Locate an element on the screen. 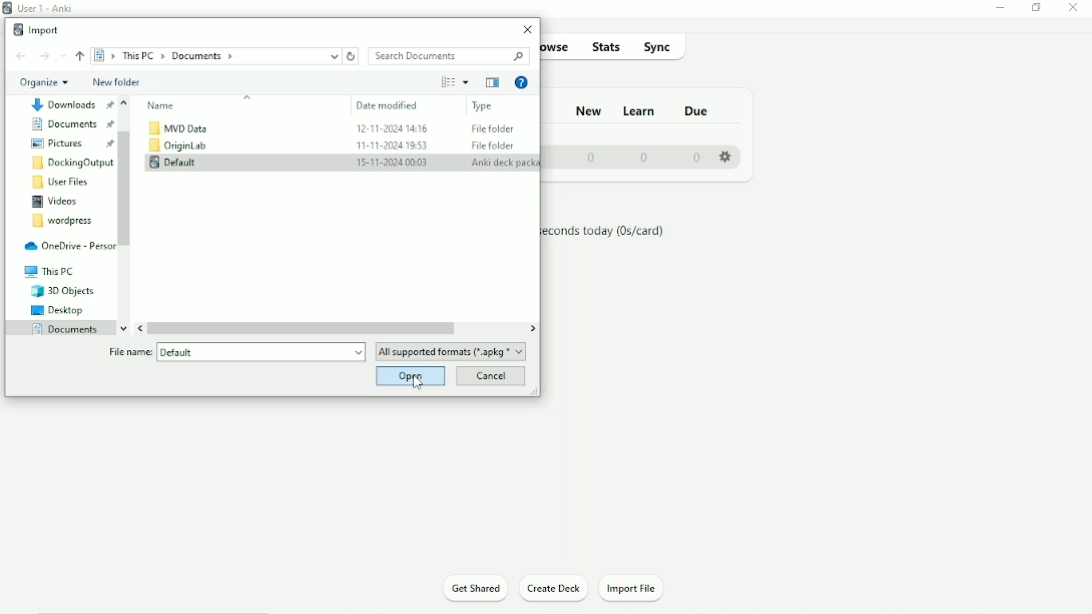  Horizontal scrollbar is located at coordinates (305, 330).